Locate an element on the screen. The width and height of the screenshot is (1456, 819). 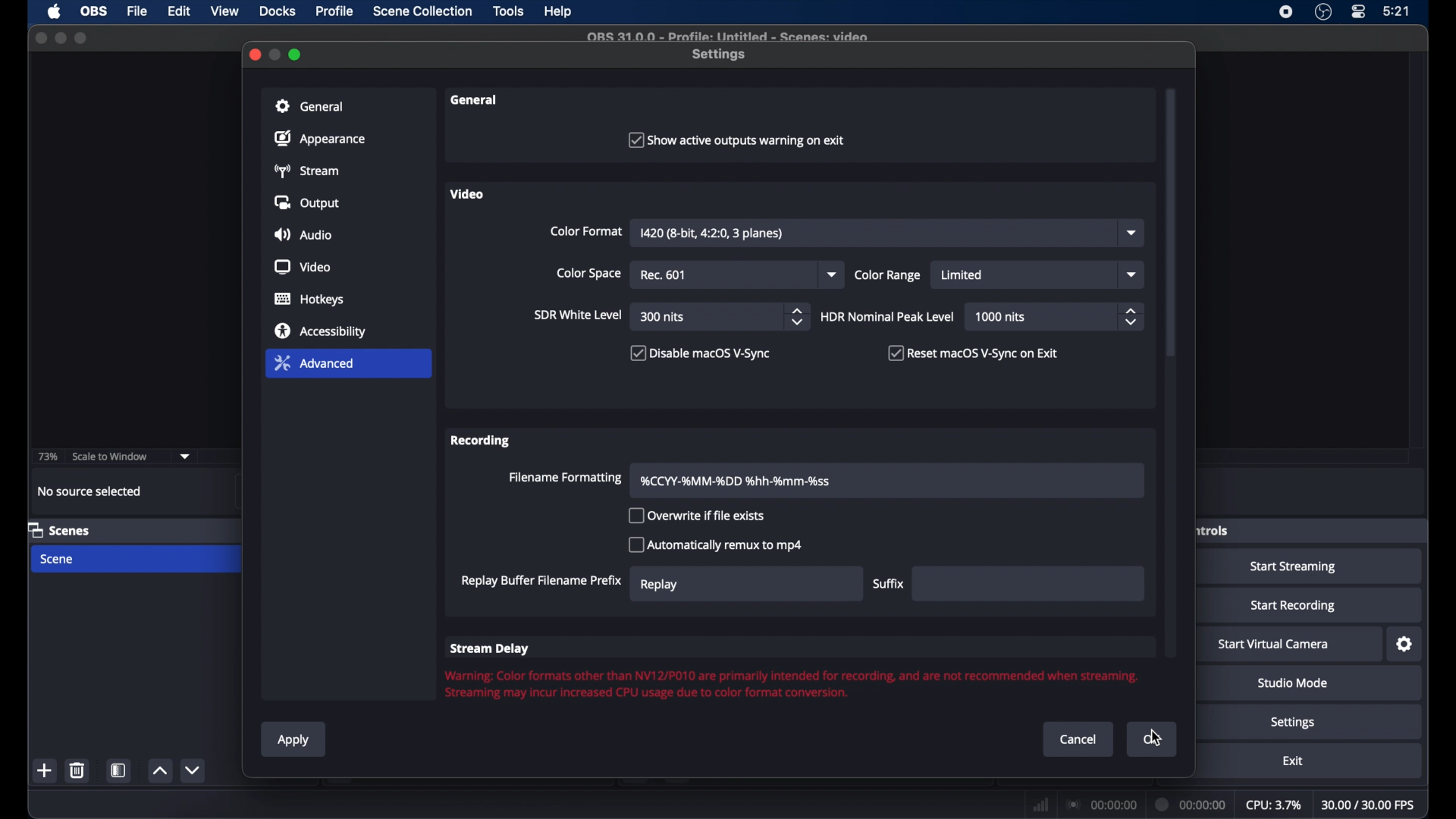
decrement is located at coordinates (195, 770).